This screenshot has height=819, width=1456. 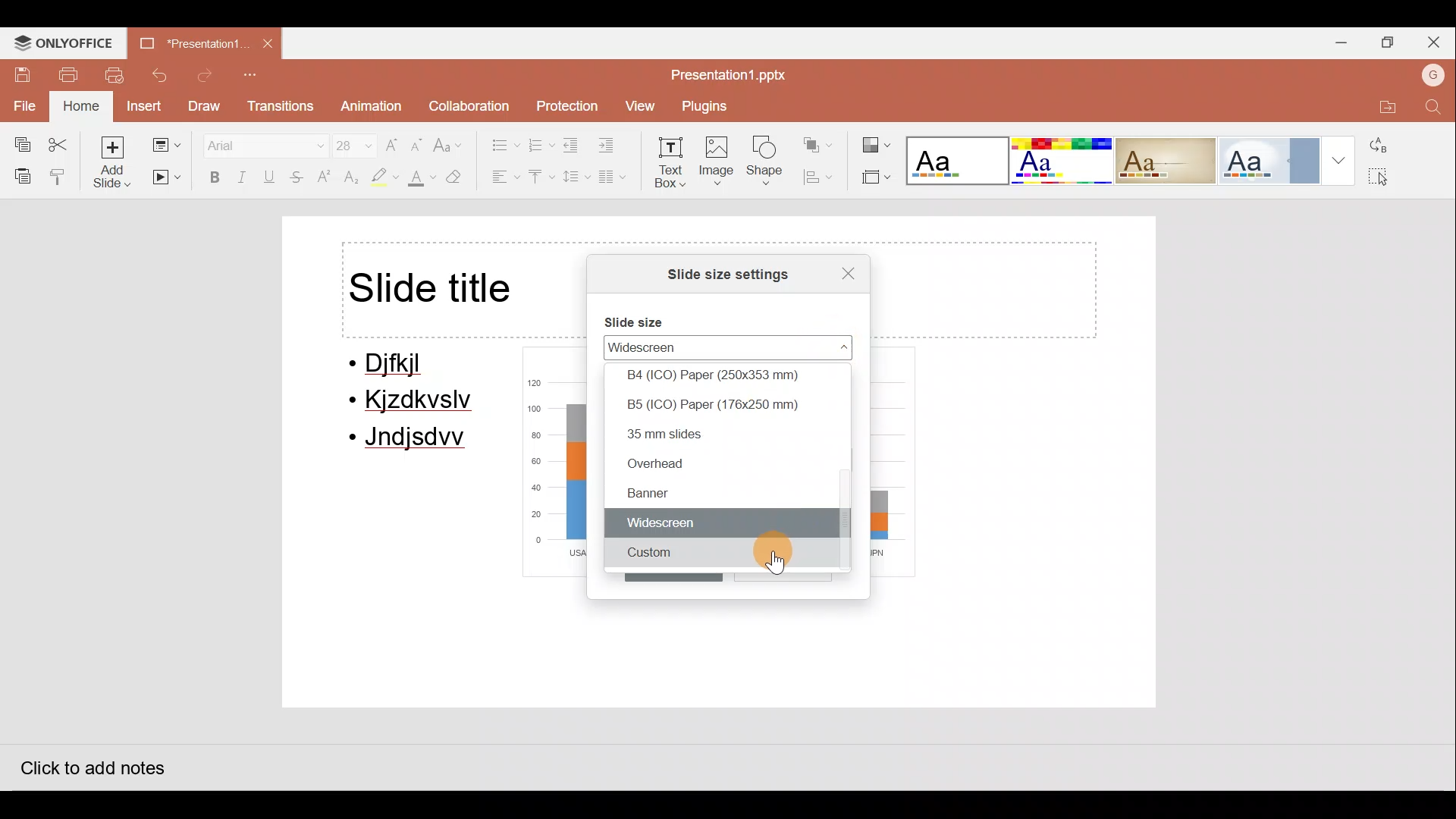 What do you see at coordinates (393, 140) in the screenshot?
I see `Increase font size` at bounding box center [393, 140].